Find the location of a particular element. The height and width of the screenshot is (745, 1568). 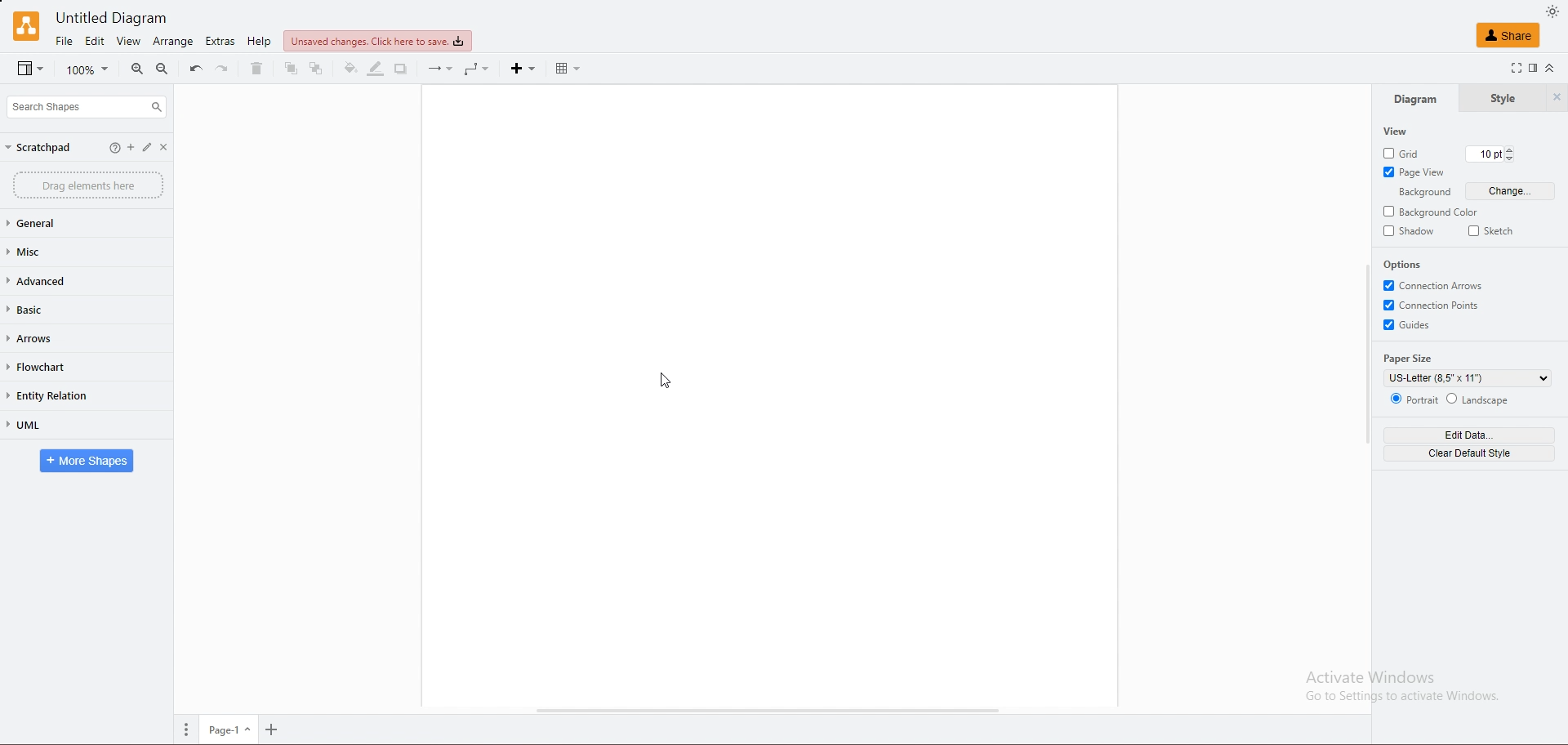

table is located at coordinates (568, 68).